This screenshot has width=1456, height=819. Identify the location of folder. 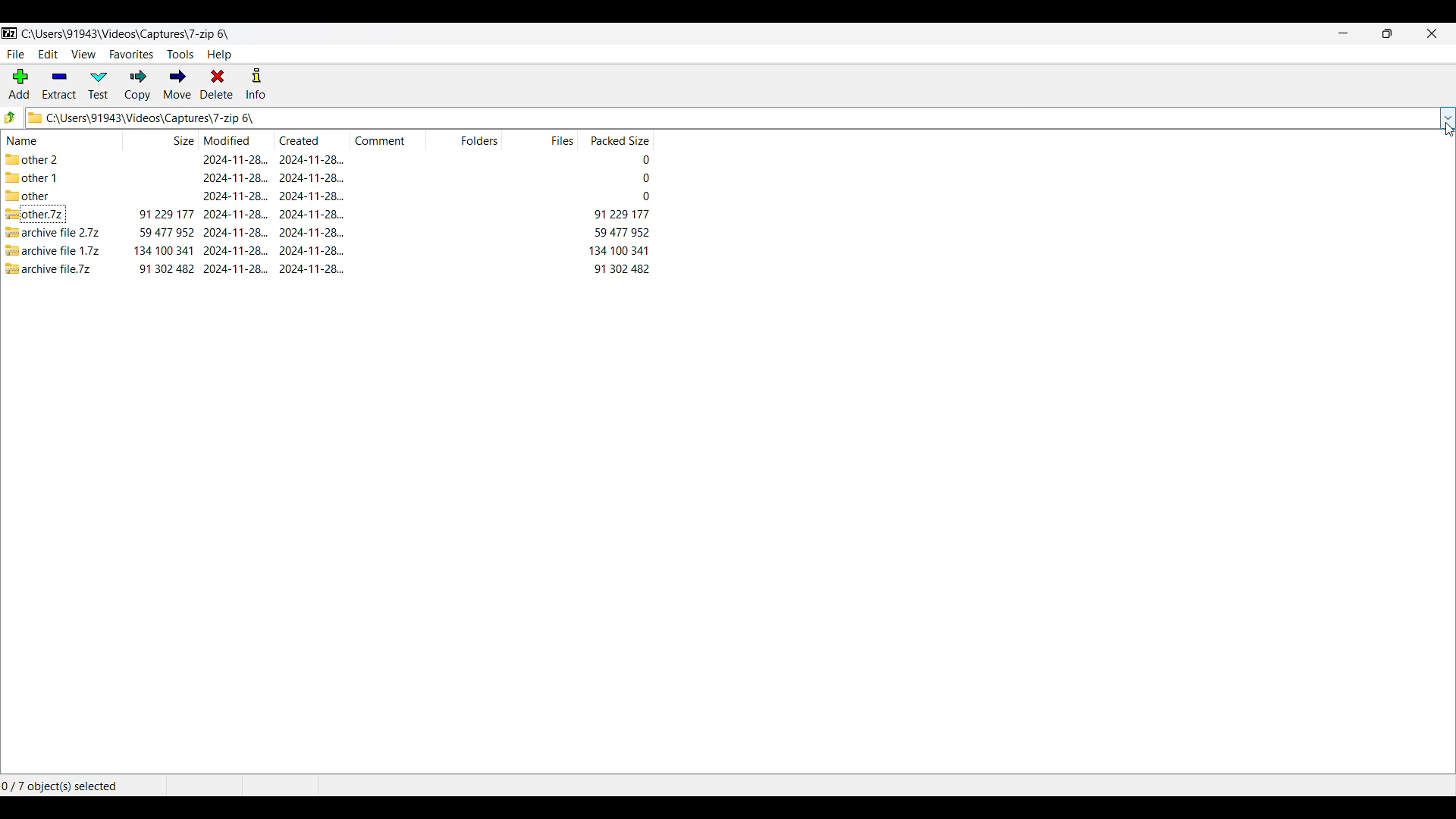
(27, 195).